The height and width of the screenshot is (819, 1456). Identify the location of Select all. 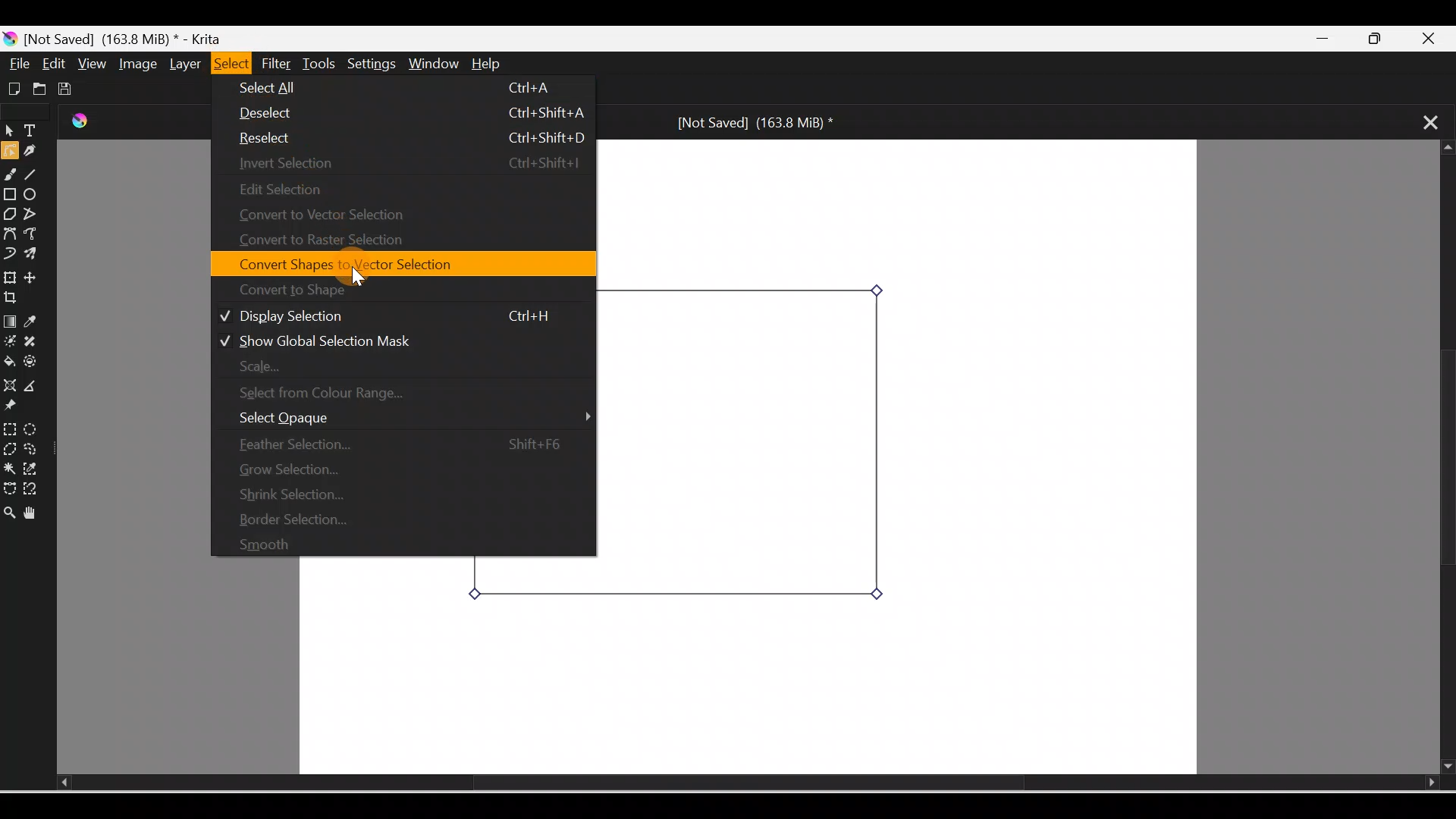
(403, 89).